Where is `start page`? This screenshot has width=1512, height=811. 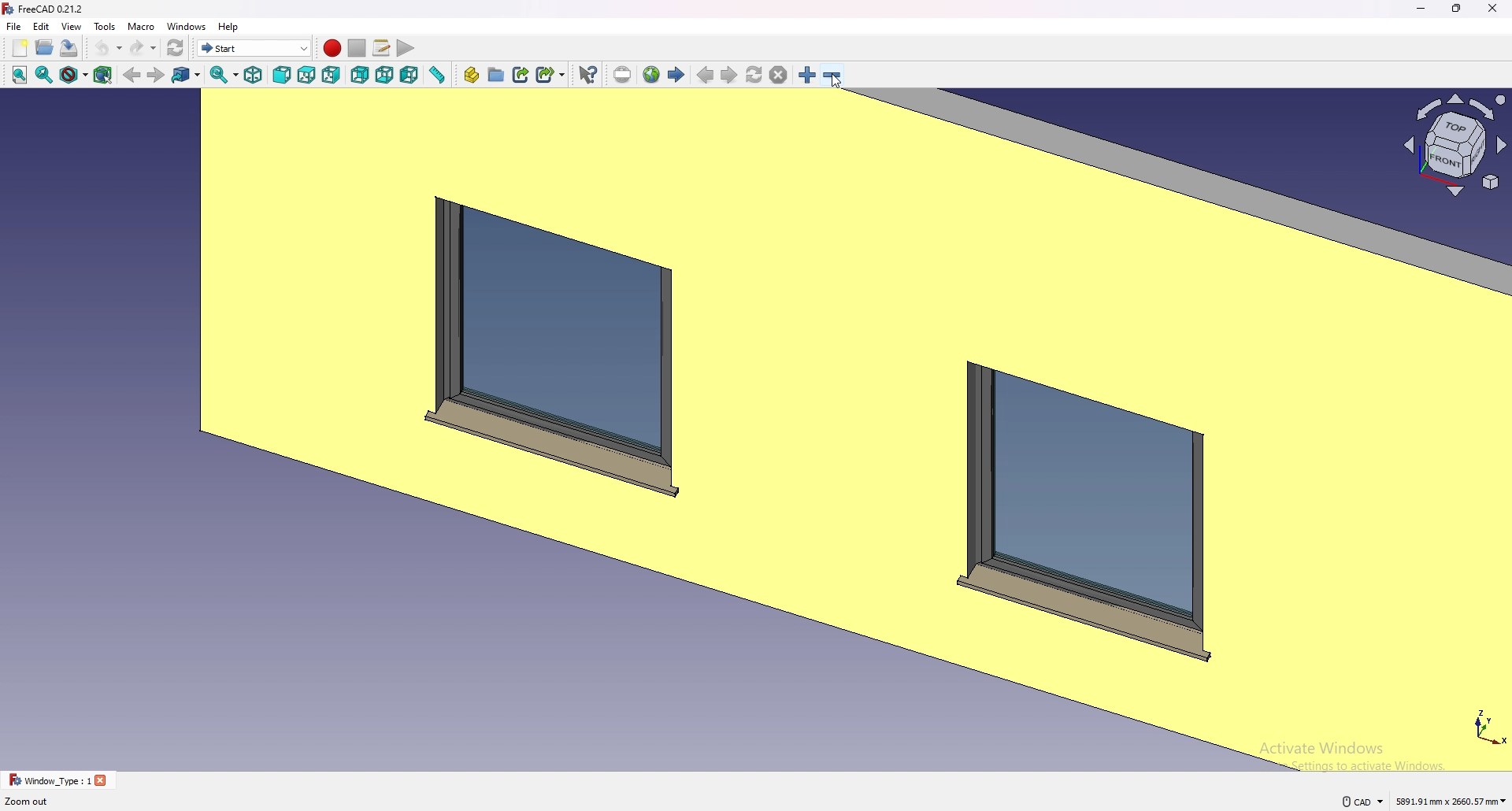 start page is located at coordinates (676, 73).